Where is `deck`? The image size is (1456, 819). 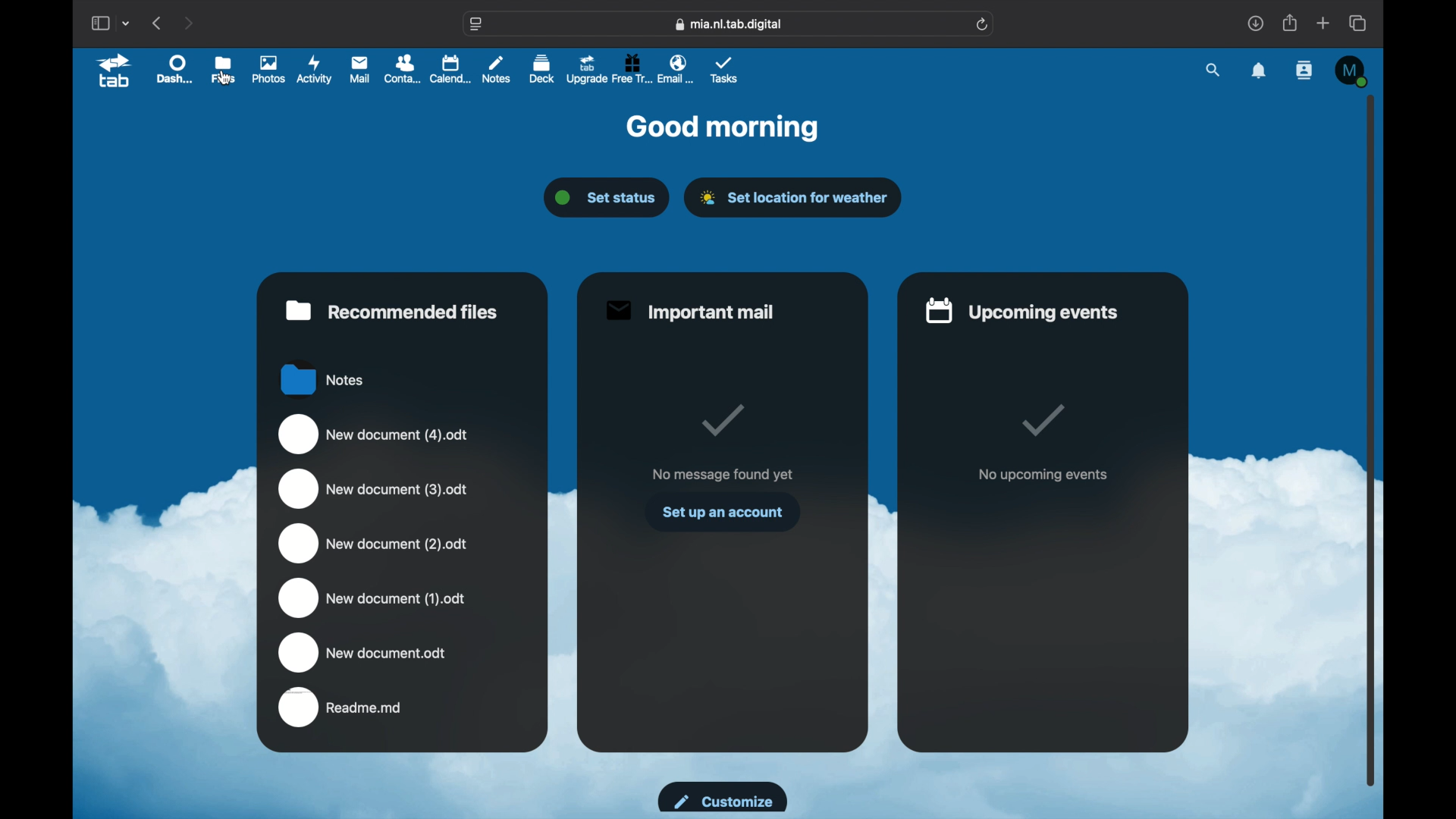 deck is located at coordinates (542, 68).